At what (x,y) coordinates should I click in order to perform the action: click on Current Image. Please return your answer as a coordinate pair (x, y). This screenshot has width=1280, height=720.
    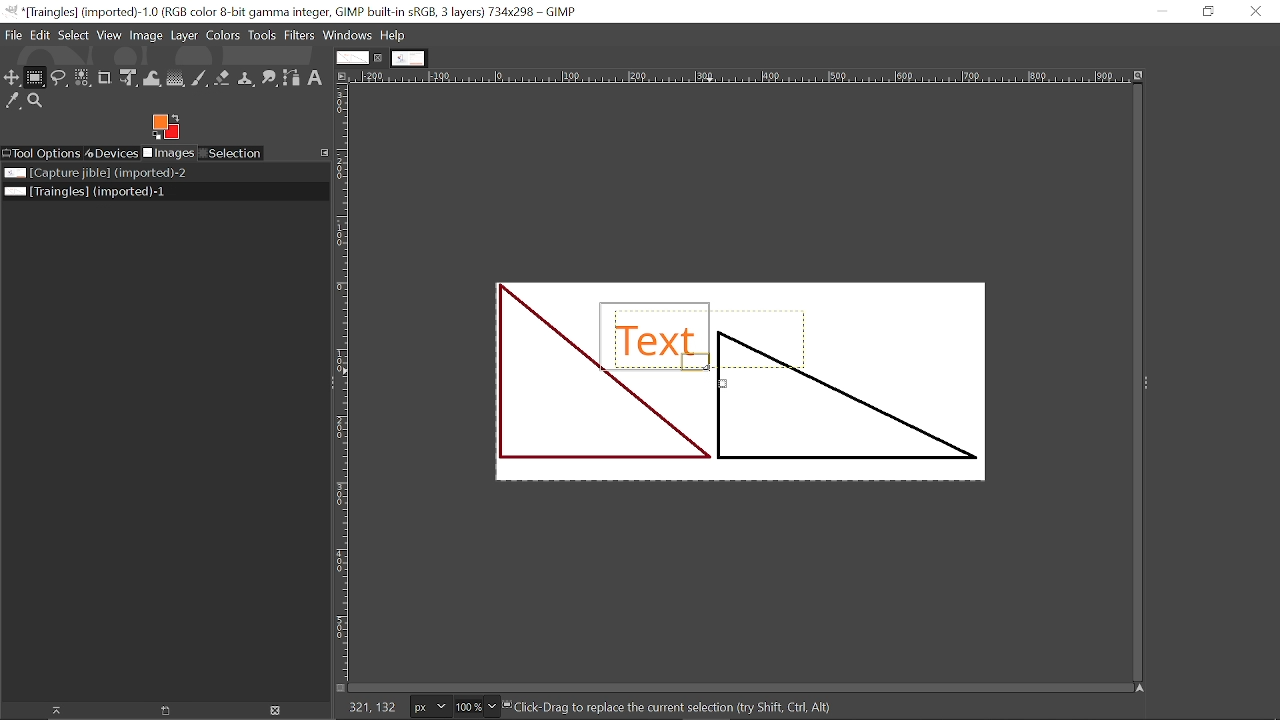
    Looking at the image, I should click on (749, 376).